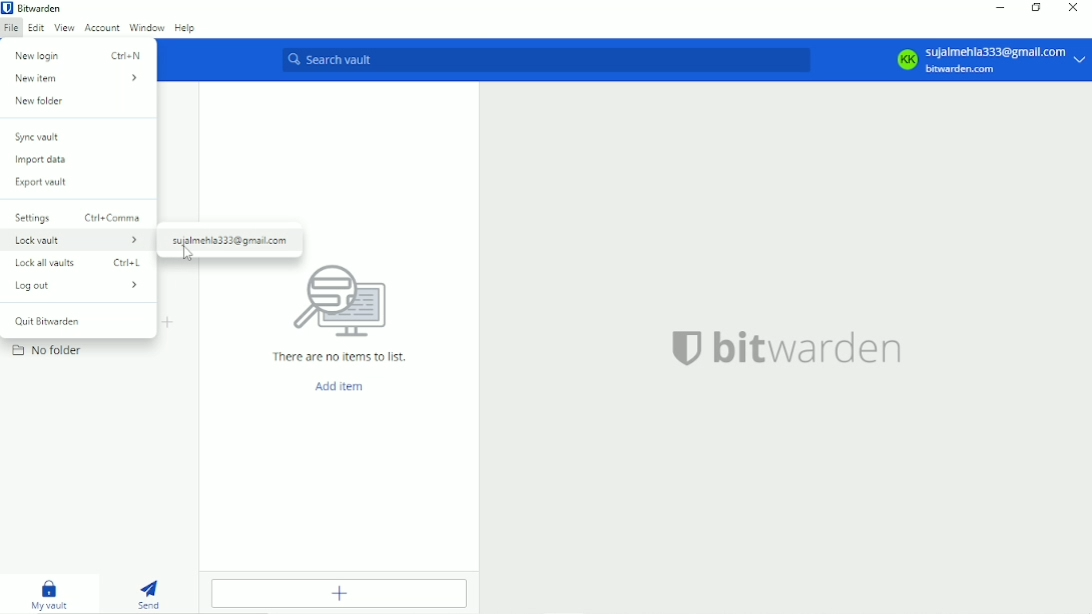  Describe the element at coordinates (102, 29) in the screenshot. I see `Account` at that location.